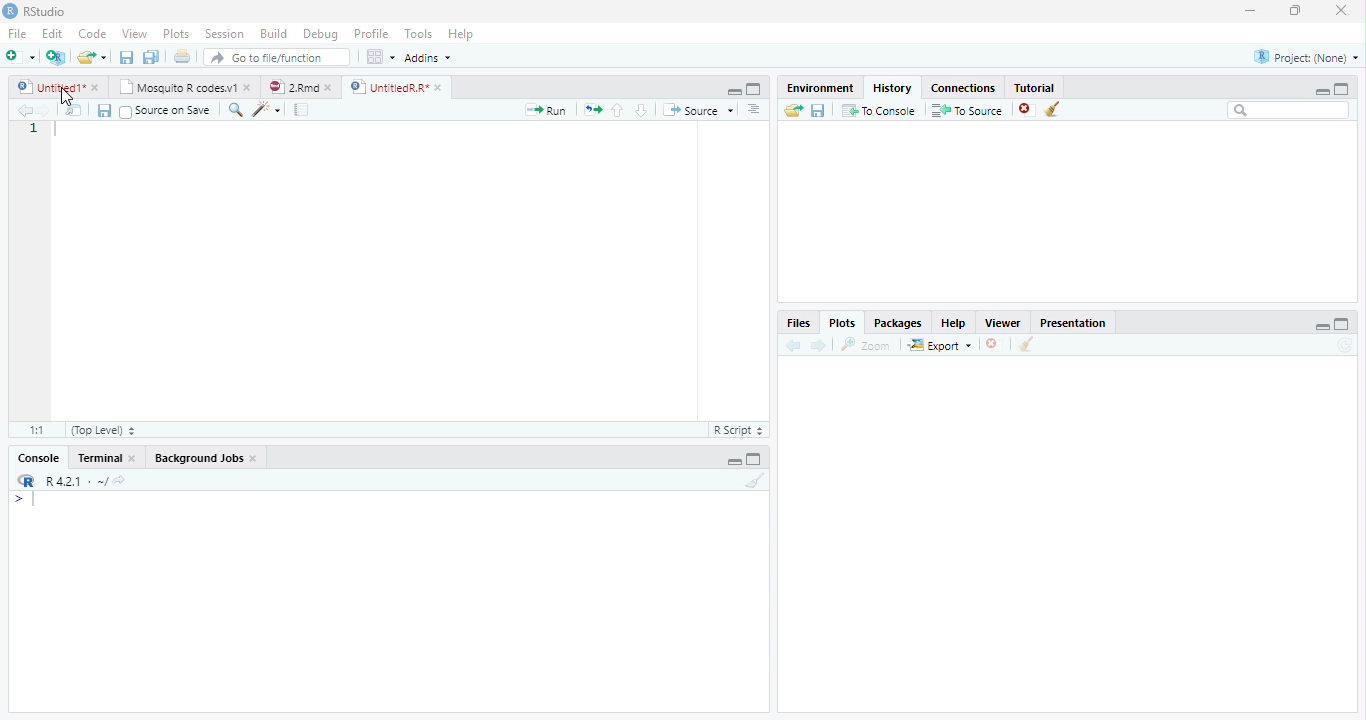 The image size is (1366, 720). Describe the element at coordinates (642, 112) in the screenshot. I see `Go to the next section ` at that location.